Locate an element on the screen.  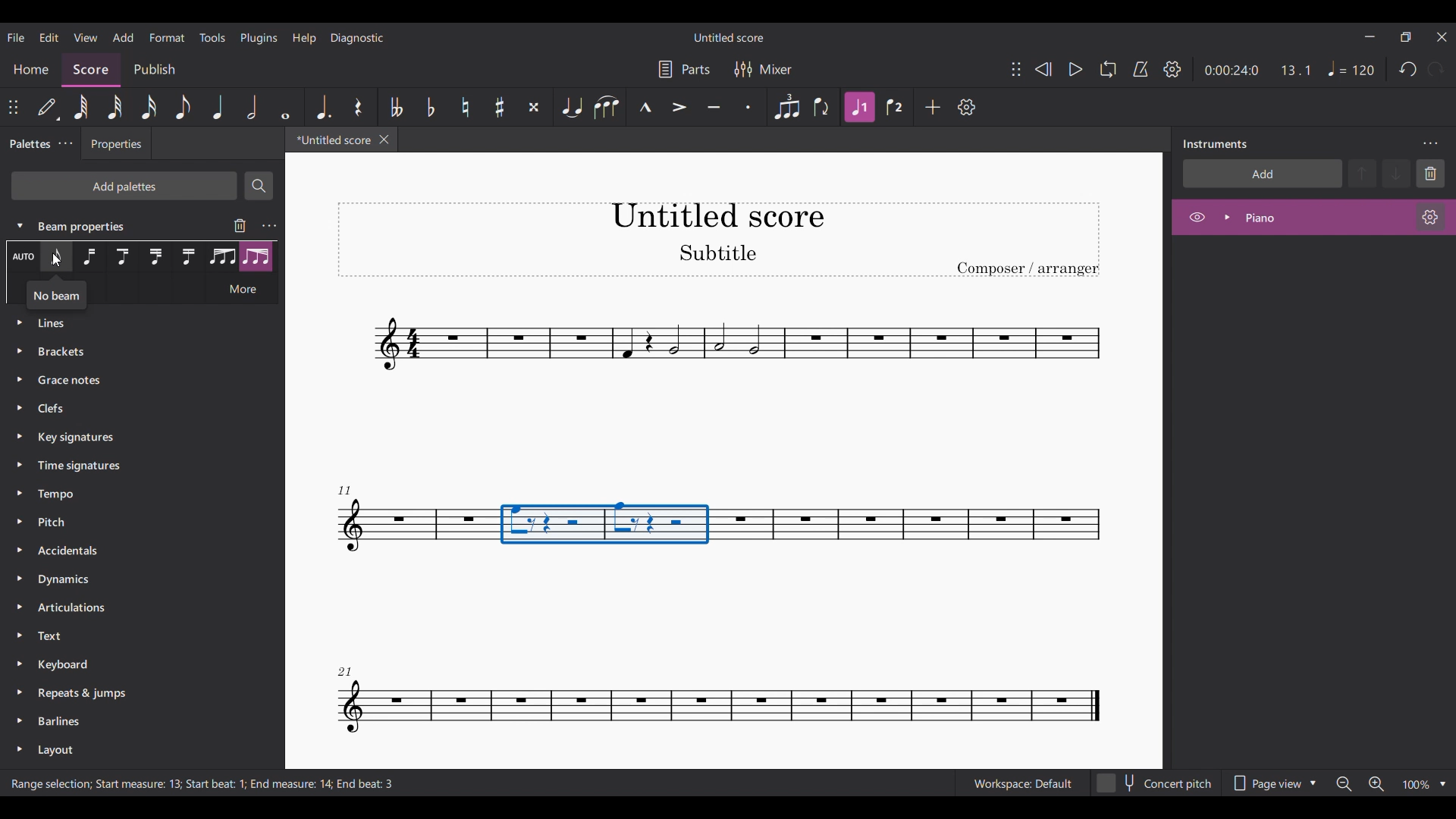
Zoom in is located at coordinates (1376, 784).